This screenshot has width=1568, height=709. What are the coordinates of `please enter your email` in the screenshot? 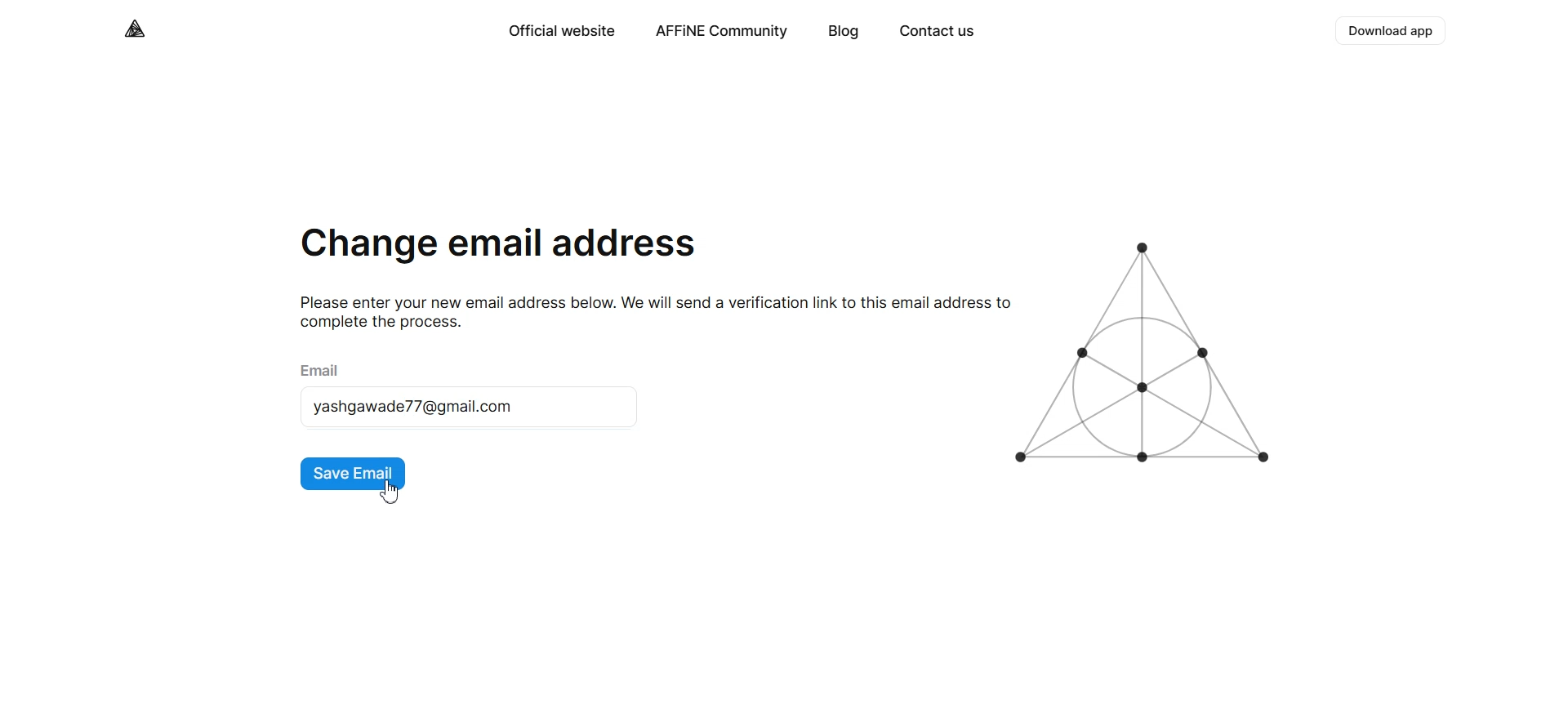 It's located at (648, 311).